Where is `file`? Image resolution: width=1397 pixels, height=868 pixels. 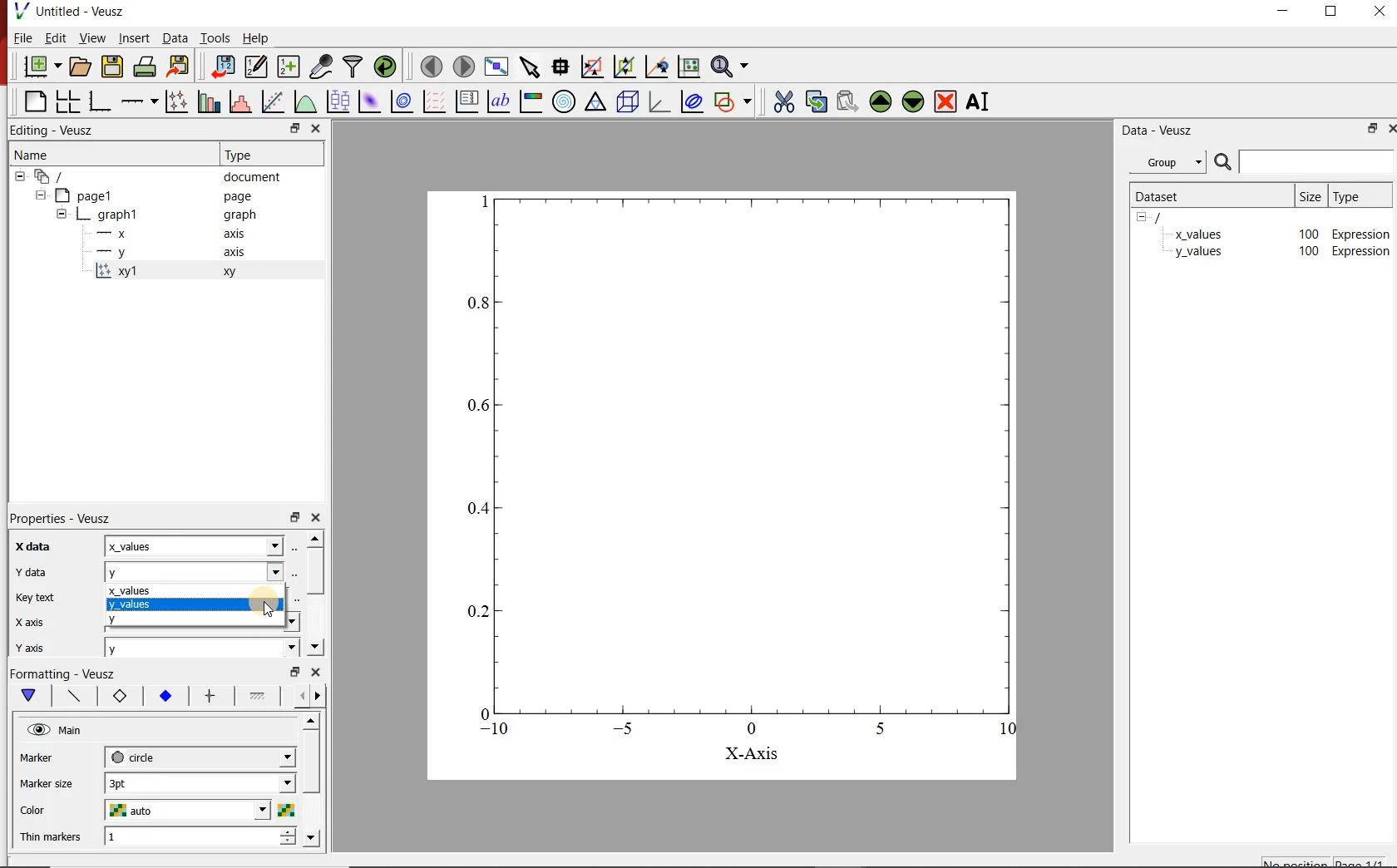 file is located at coordinates (24, 37).